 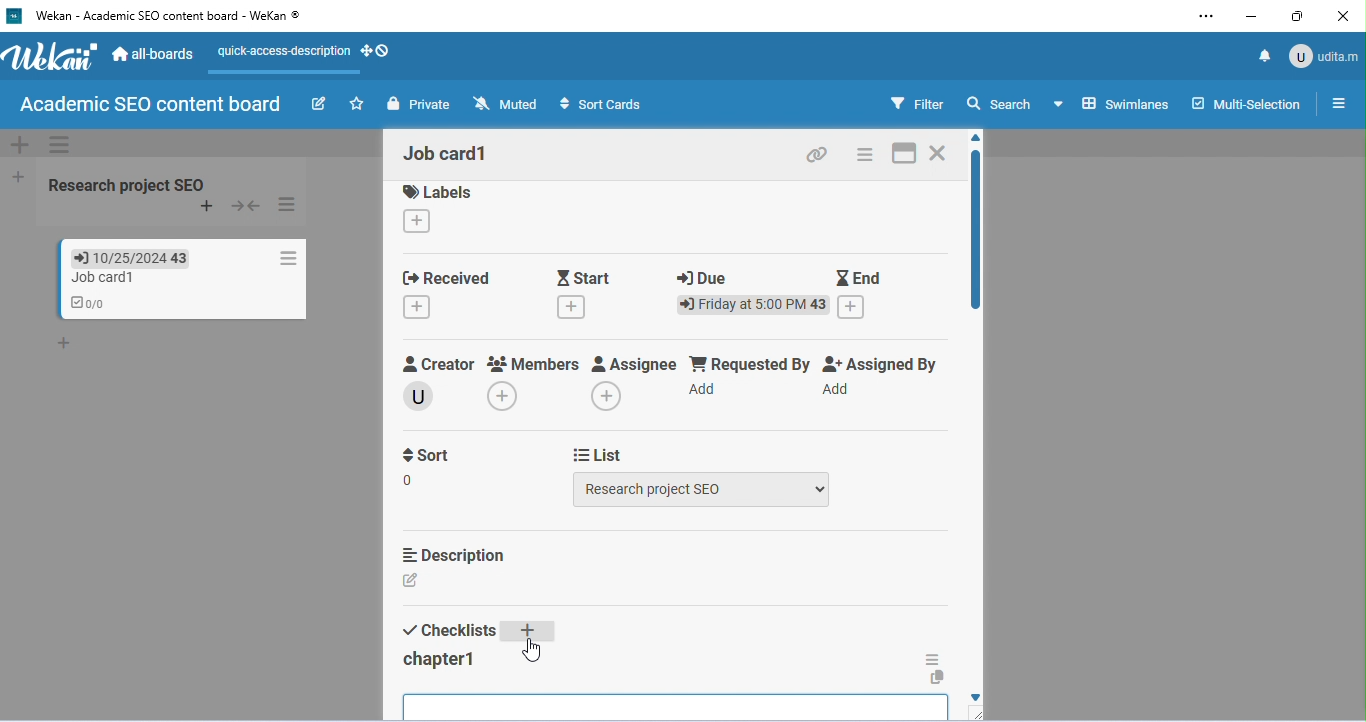 I want to click on creator name, so click(x=423, y=399).